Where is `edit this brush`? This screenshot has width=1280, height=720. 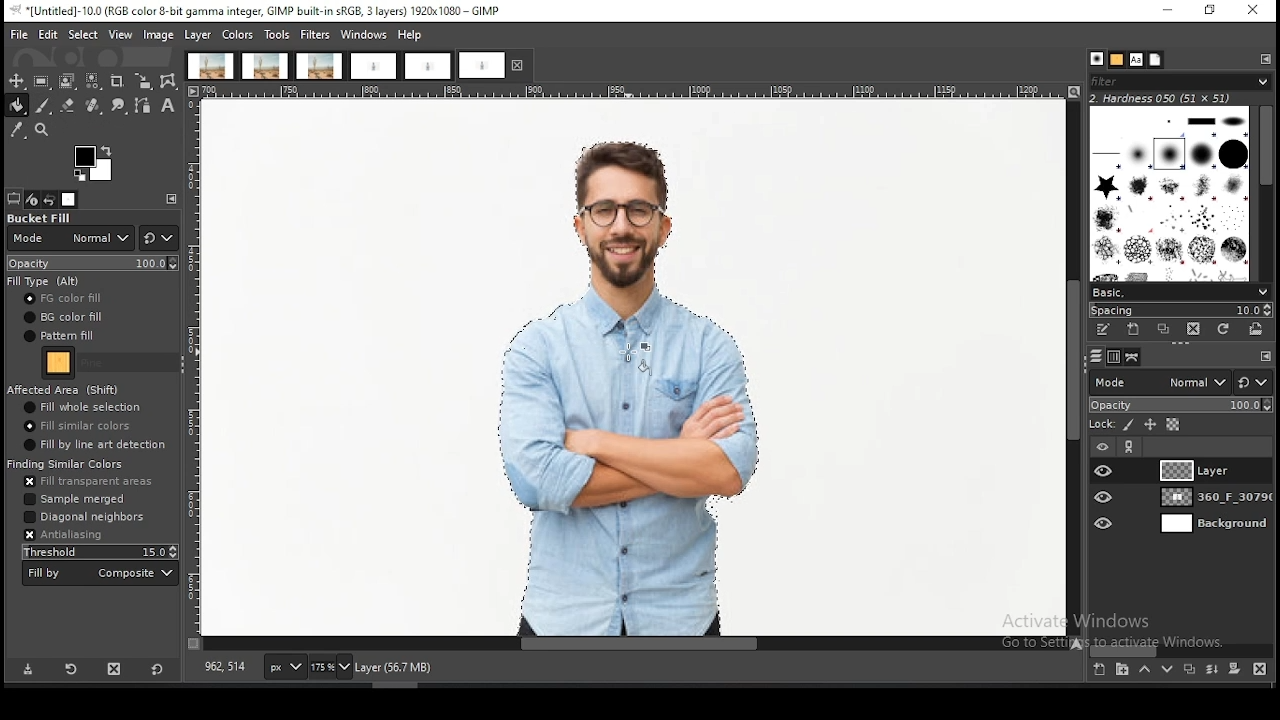
edit this brush is located at coordinates (1102, 330).